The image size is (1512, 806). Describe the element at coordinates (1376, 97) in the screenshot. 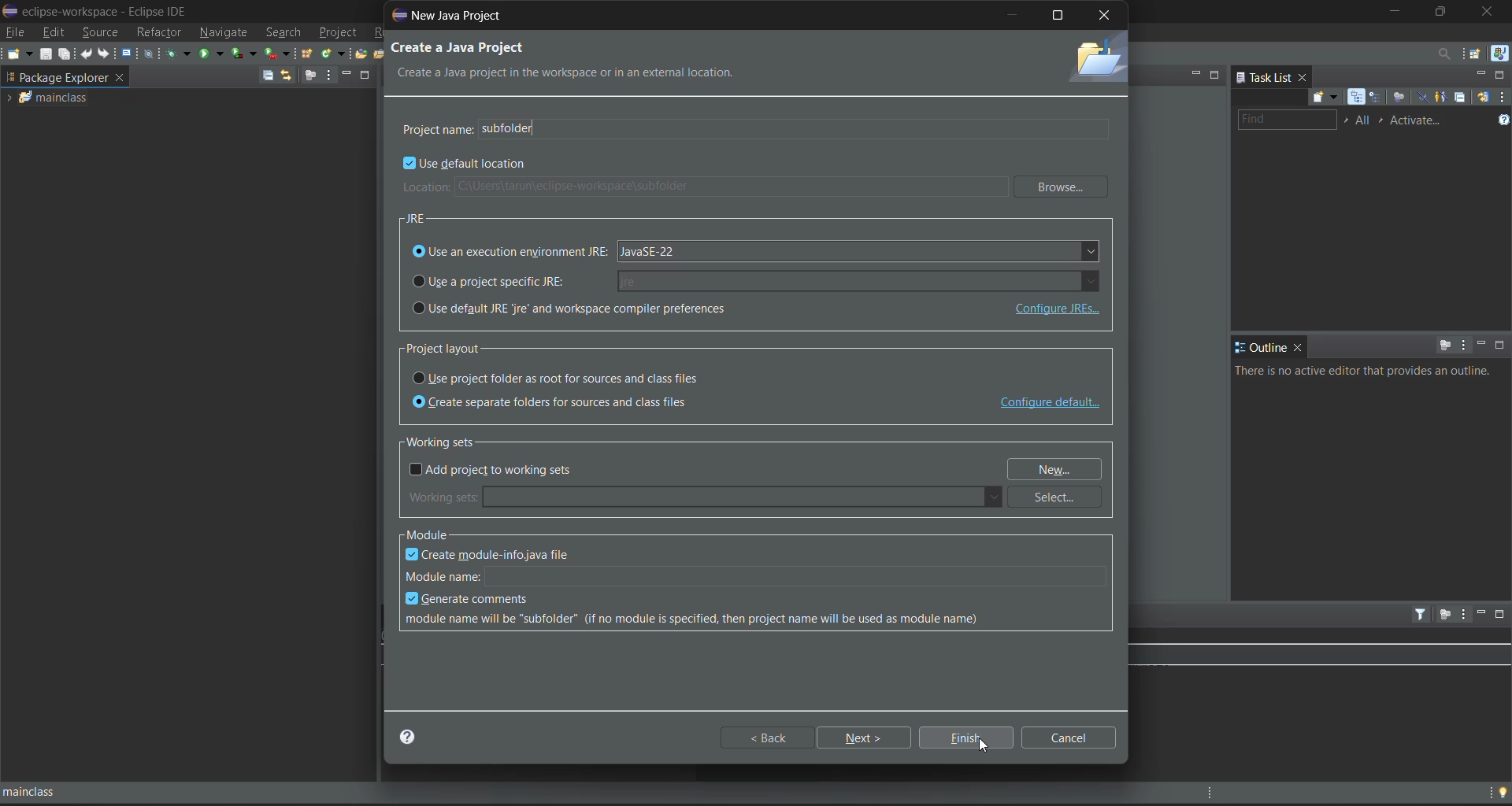

I see `scheduled` at that location.